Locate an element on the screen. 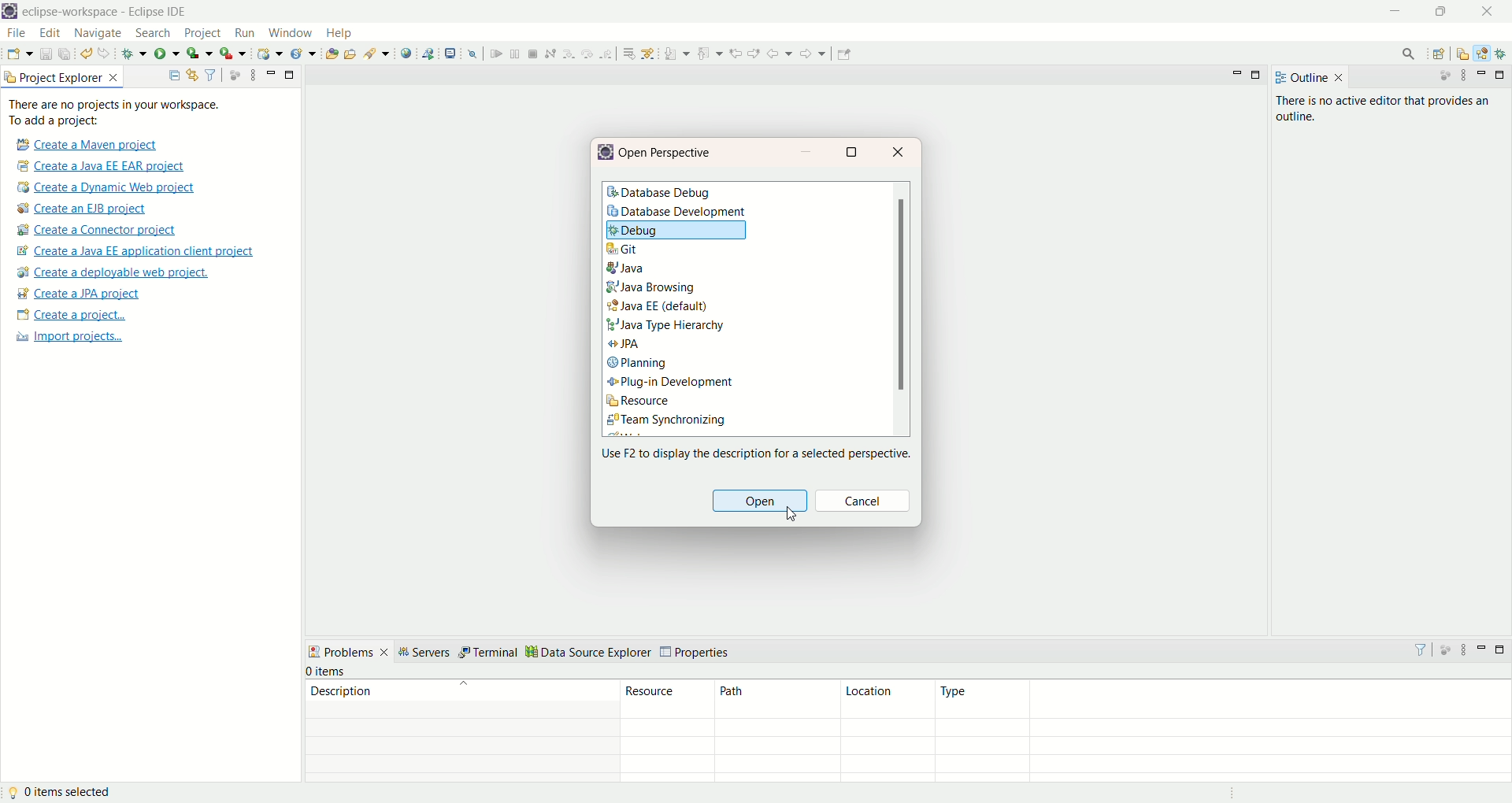 The width and height of the screenshot is (1512, 803). maximize is located at coordinates (1503, 651).